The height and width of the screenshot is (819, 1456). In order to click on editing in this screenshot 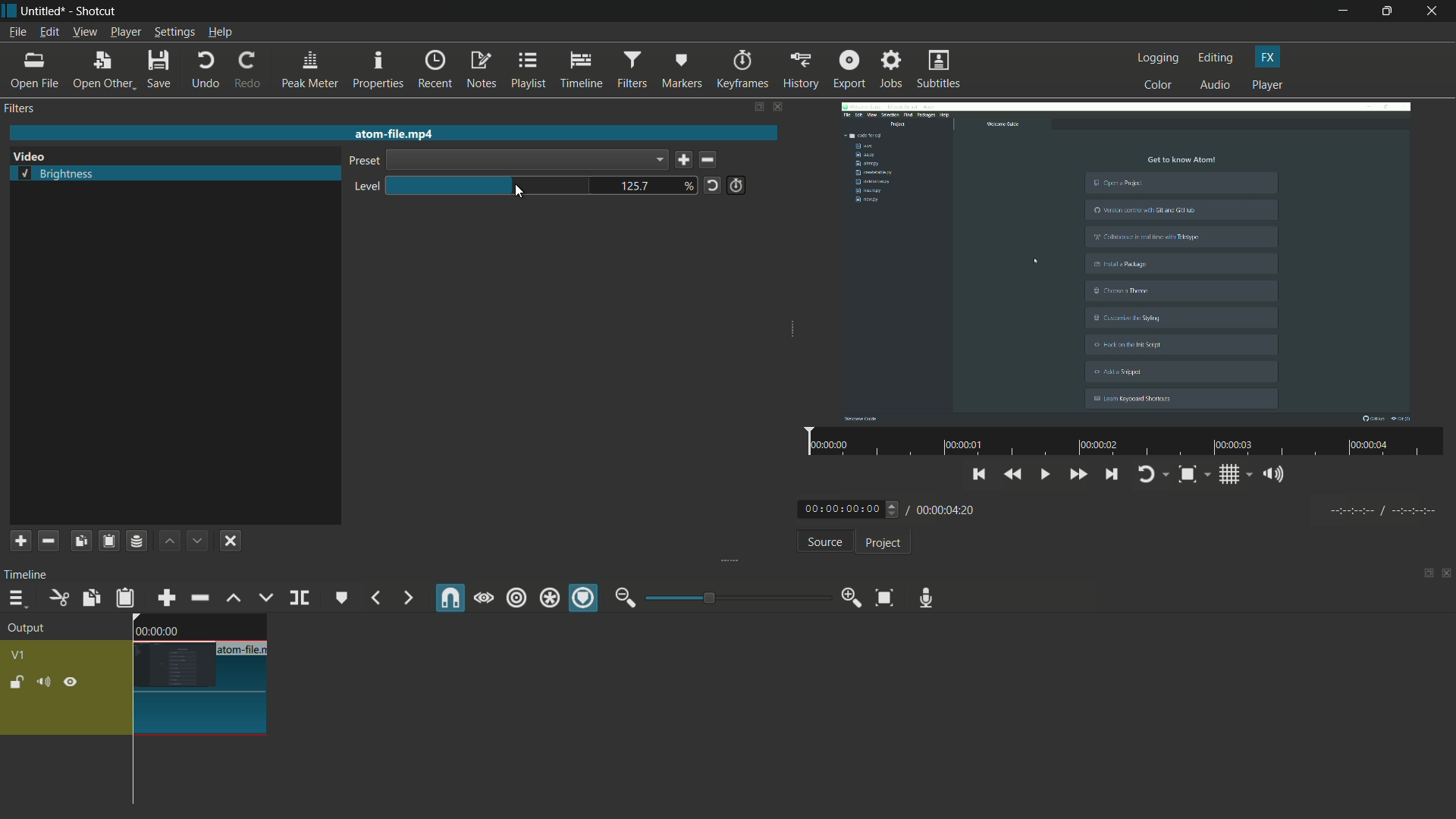, I will do `click(1216, 58)`.